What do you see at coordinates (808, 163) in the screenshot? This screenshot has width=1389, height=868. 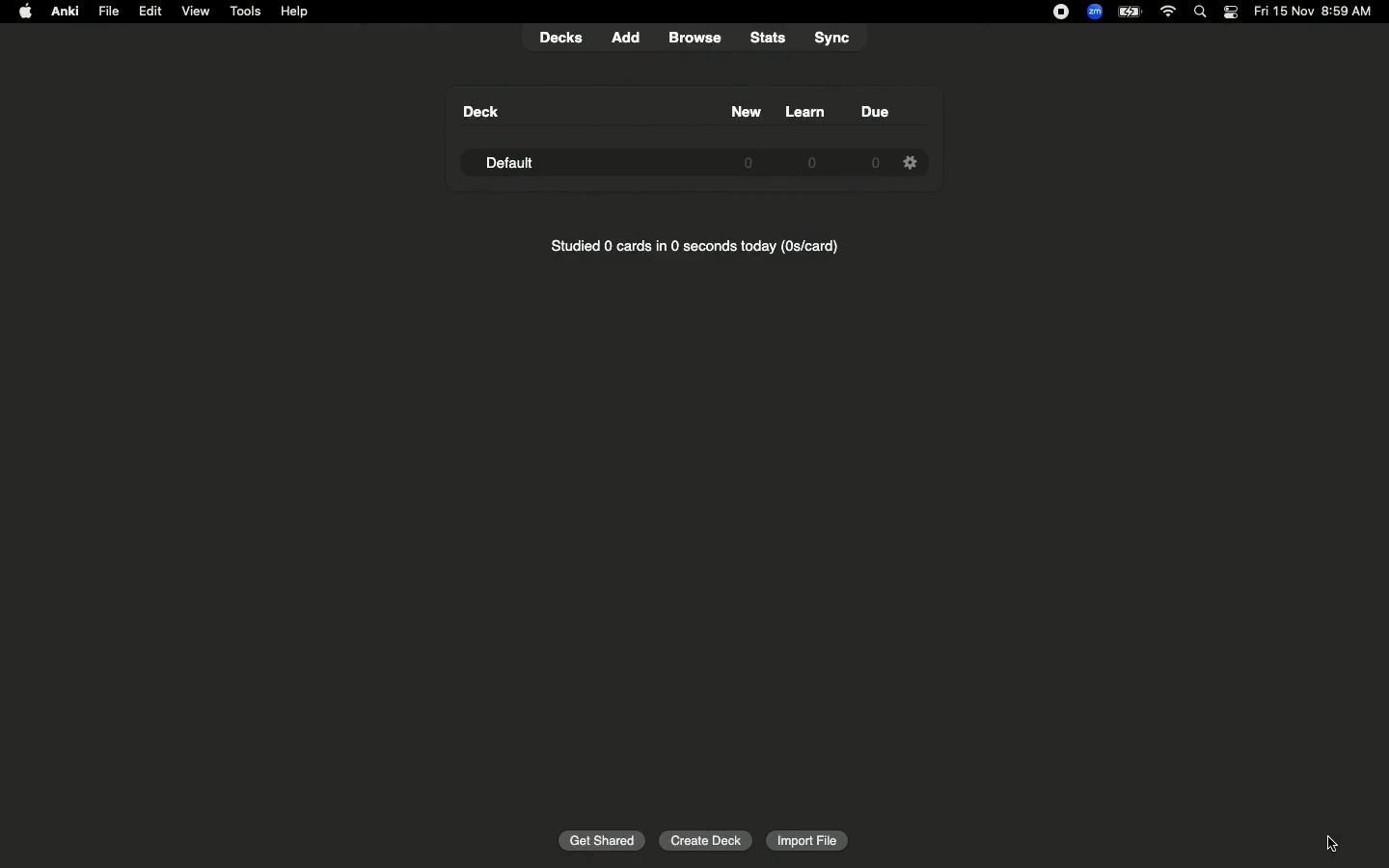 I see `0` at bounding box center [808, 163].